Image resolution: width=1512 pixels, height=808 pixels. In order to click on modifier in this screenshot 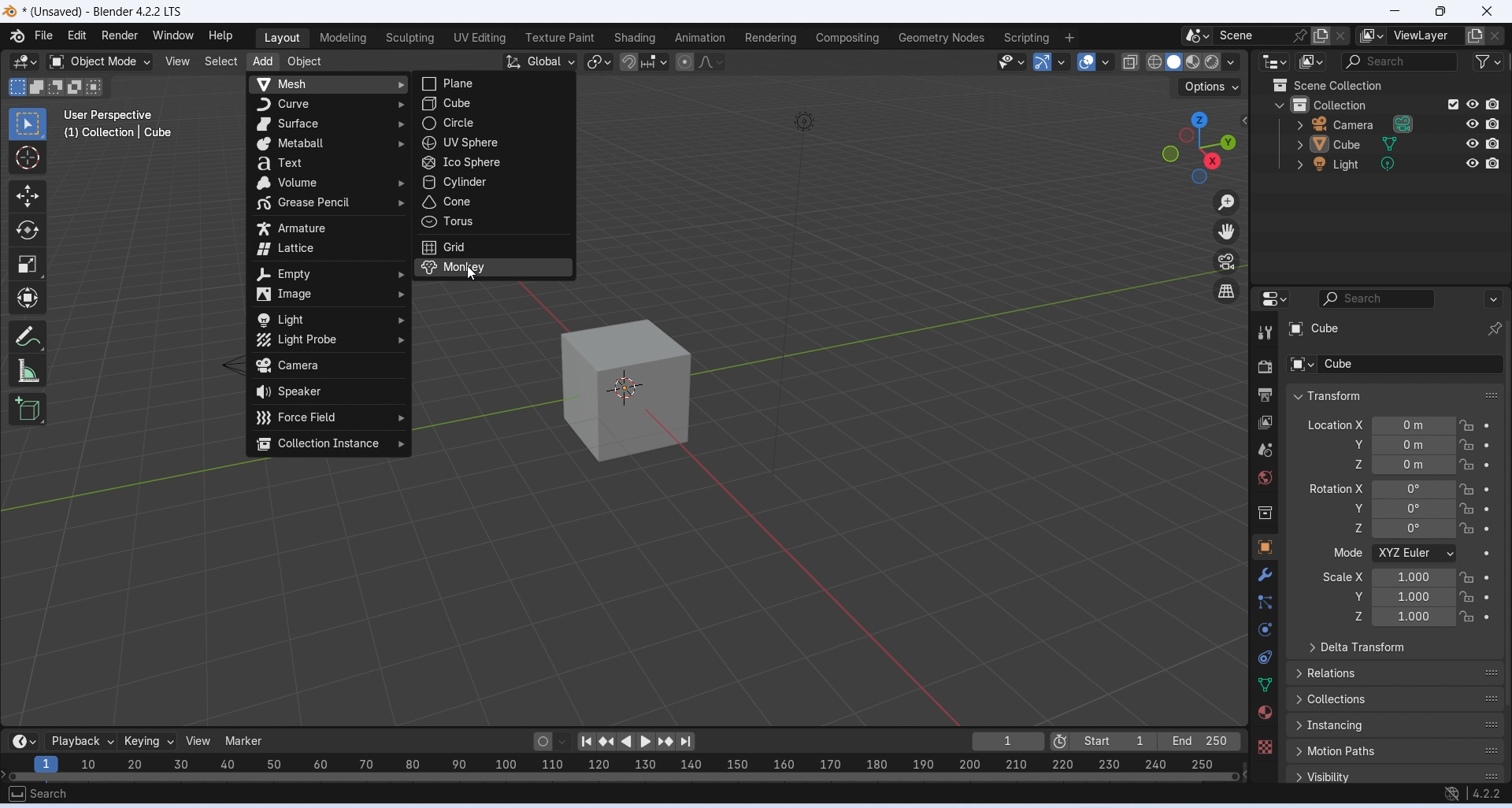, I will do `click(1265, 574)`.